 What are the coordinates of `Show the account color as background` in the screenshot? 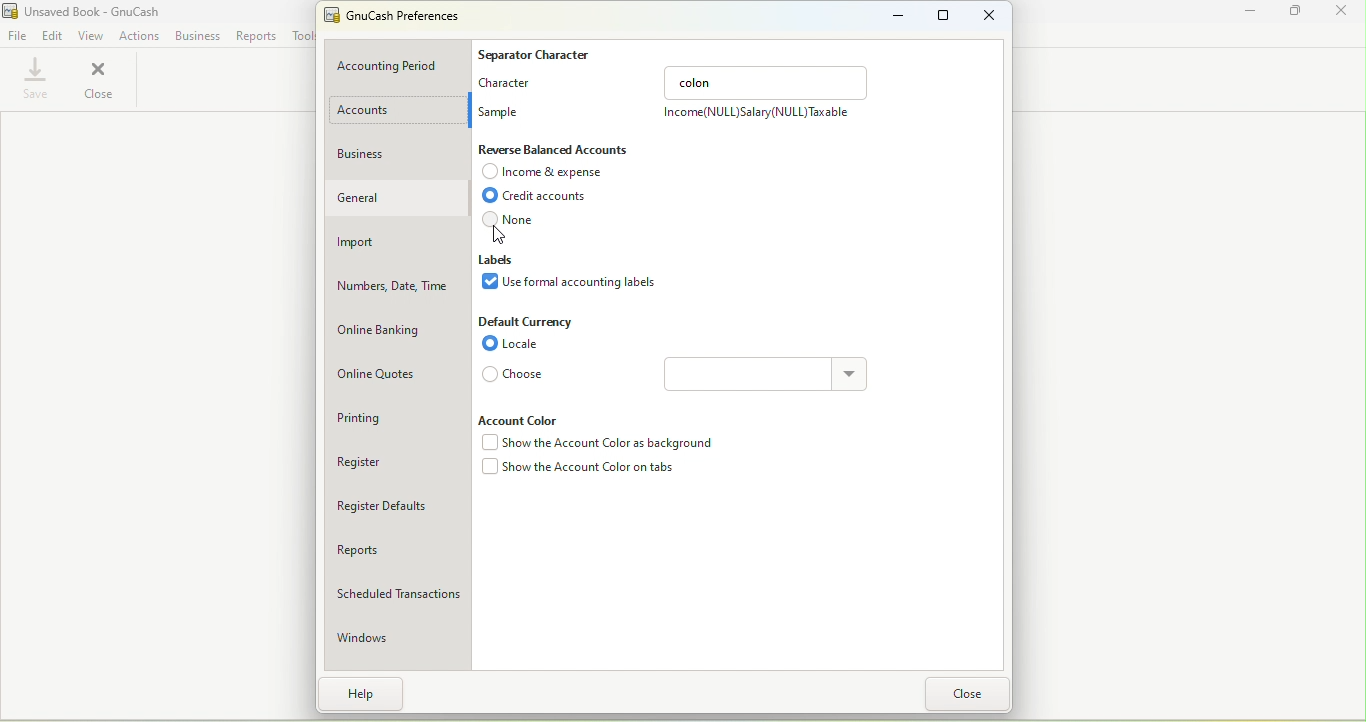 It's located at (605, 442).